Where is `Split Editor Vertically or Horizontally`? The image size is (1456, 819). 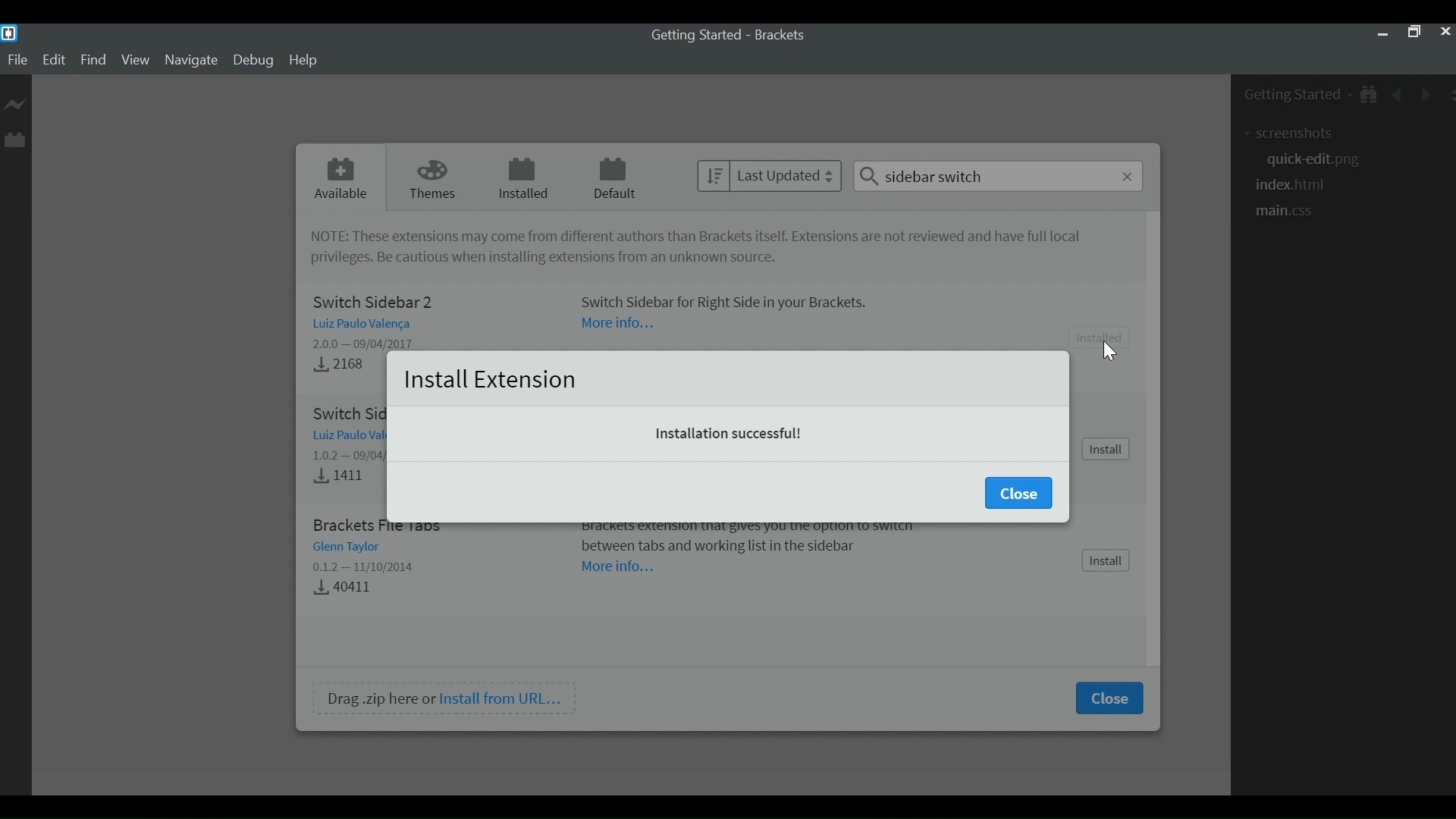 Split Editor Vertically or Horizontally is located at coordinates (1447, 94).